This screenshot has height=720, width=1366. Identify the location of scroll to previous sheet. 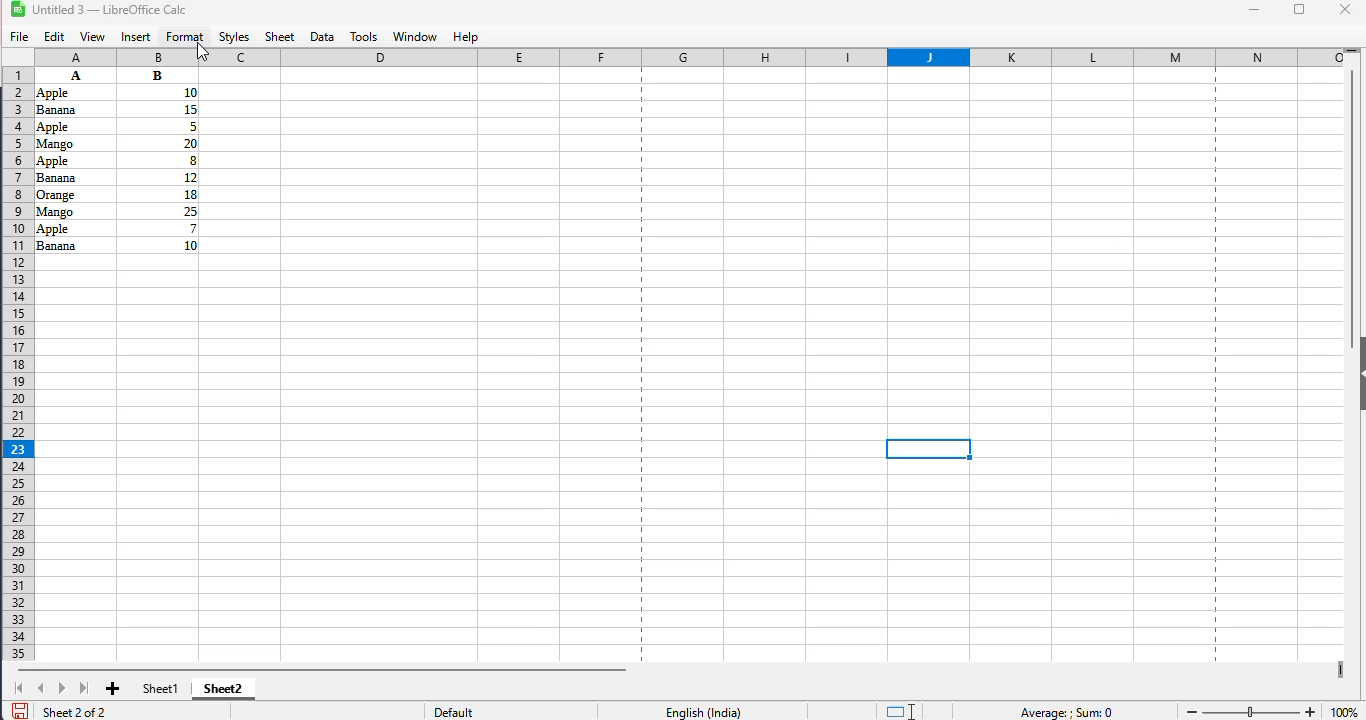
(41, 688).